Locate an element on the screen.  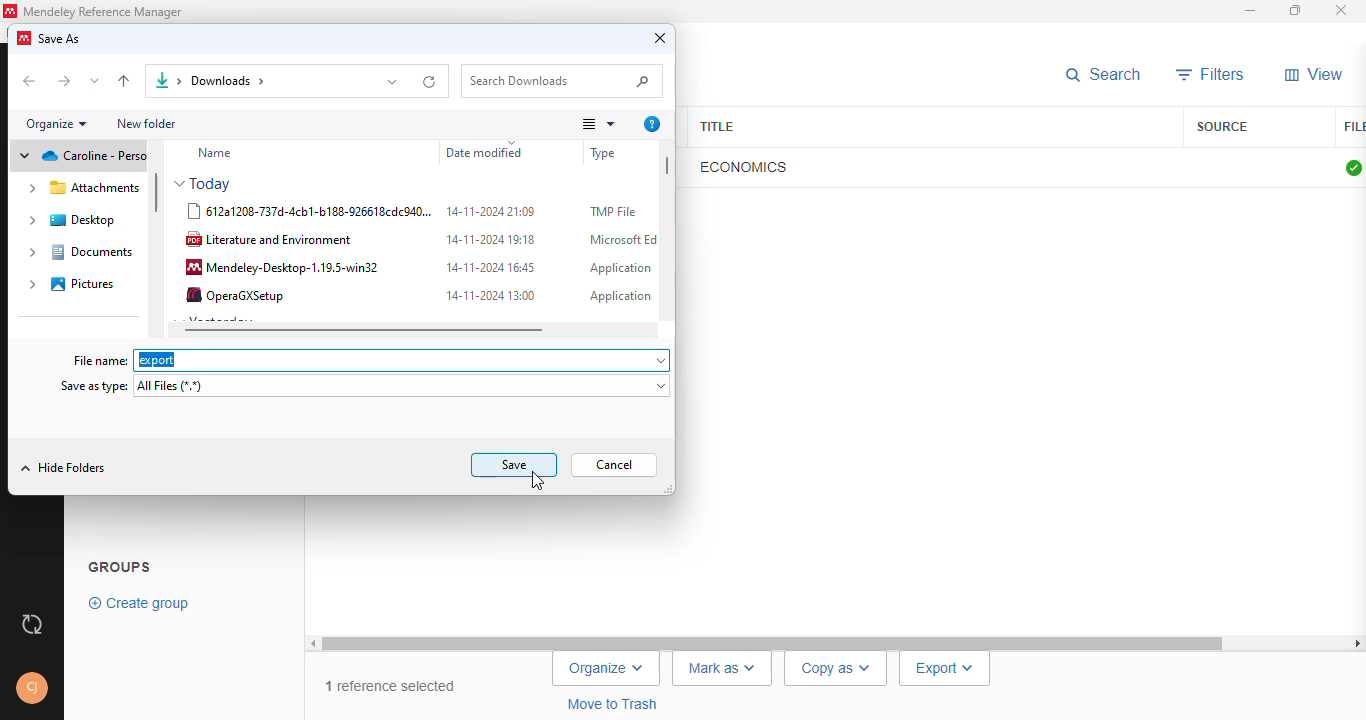
all files downloaded is located at coordinates (1353, 168).